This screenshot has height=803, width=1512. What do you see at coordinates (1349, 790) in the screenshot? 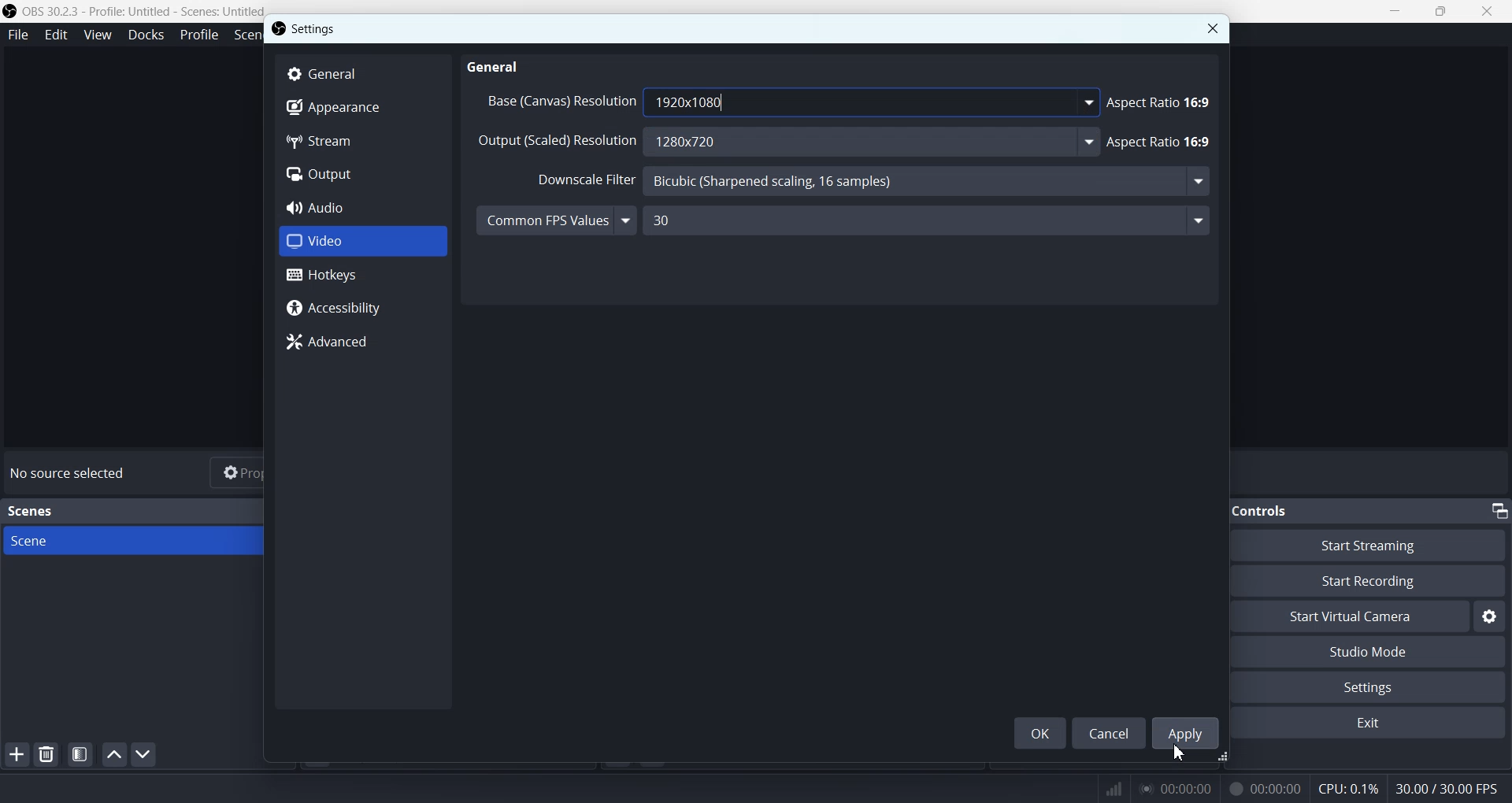
I see `CPU` at bounding box center [1349, 790].